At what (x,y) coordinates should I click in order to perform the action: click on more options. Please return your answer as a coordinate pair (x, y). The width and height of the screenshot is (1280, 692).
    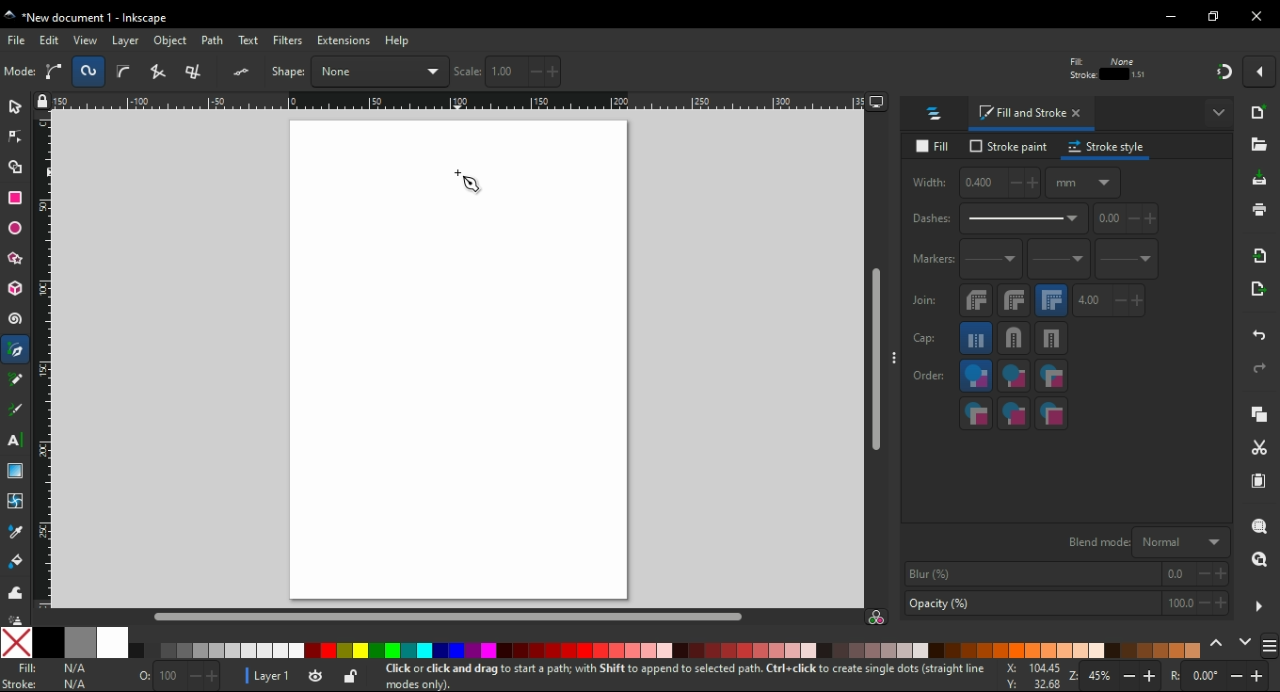
    Looking at the image, I should click on (1220, 111).